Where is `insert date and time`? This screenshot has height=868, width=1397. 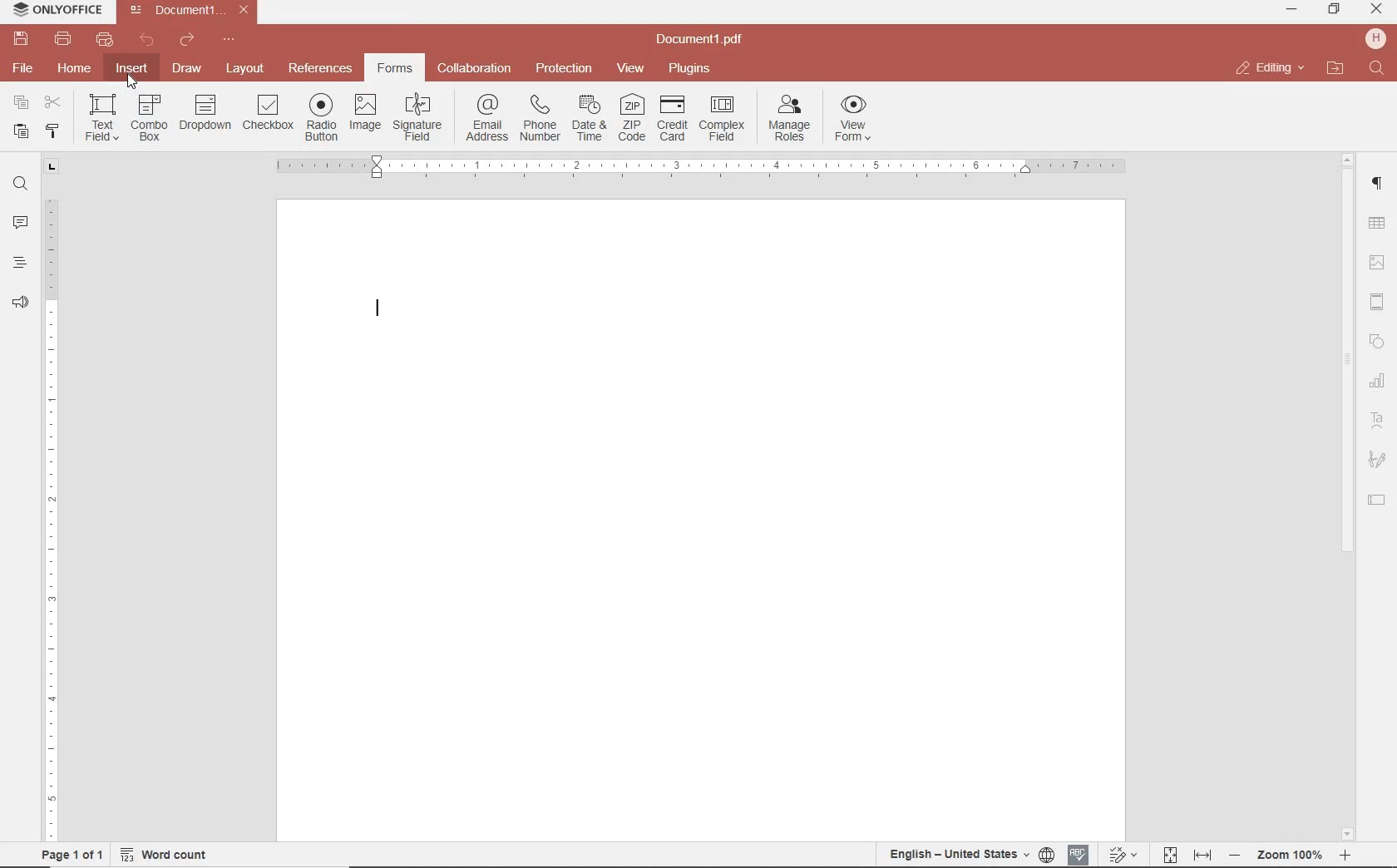 insert date and time is located at coordinates (588, 117).